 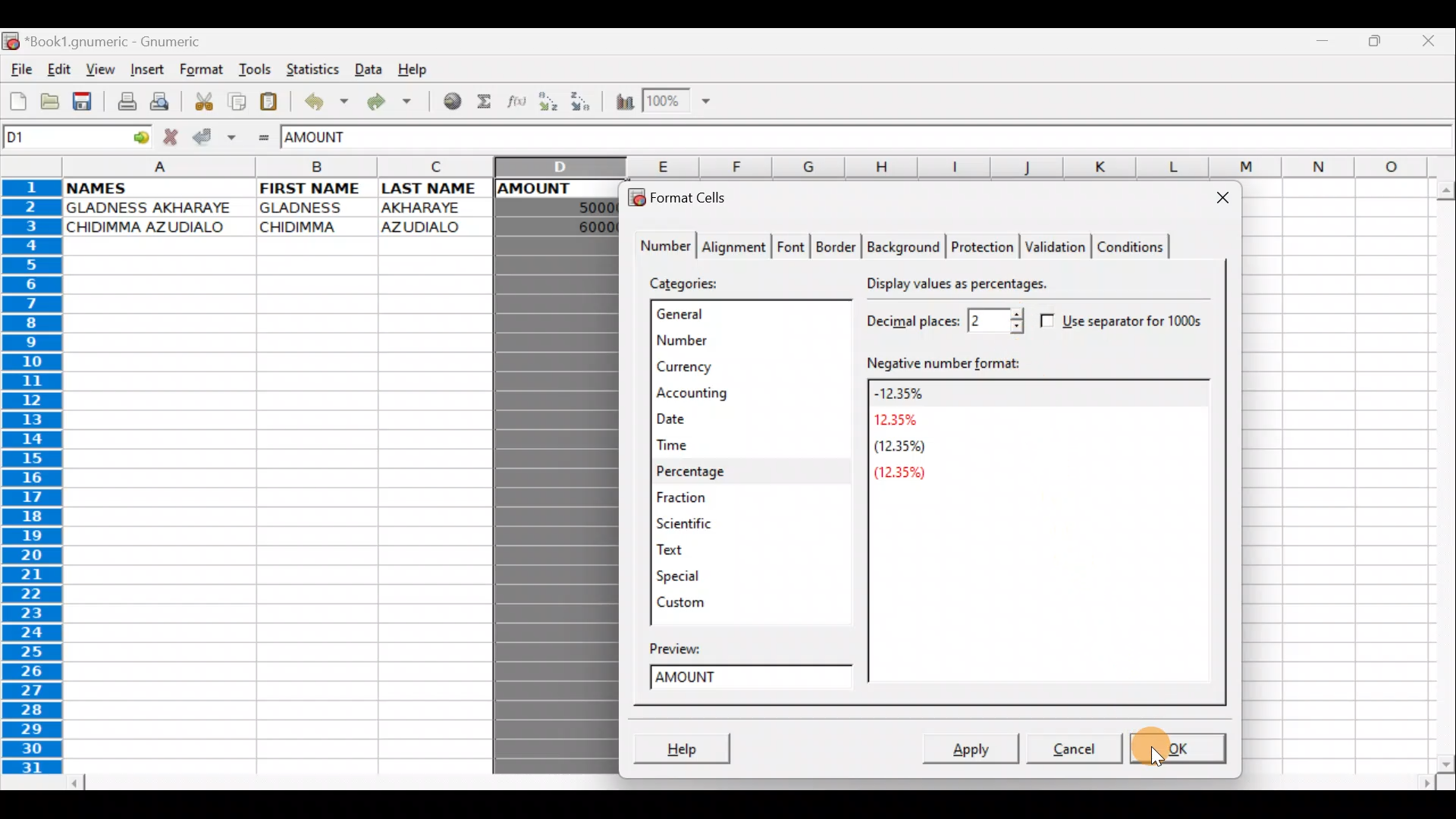 I want to click on Zoom, so click(x=679, y=102).